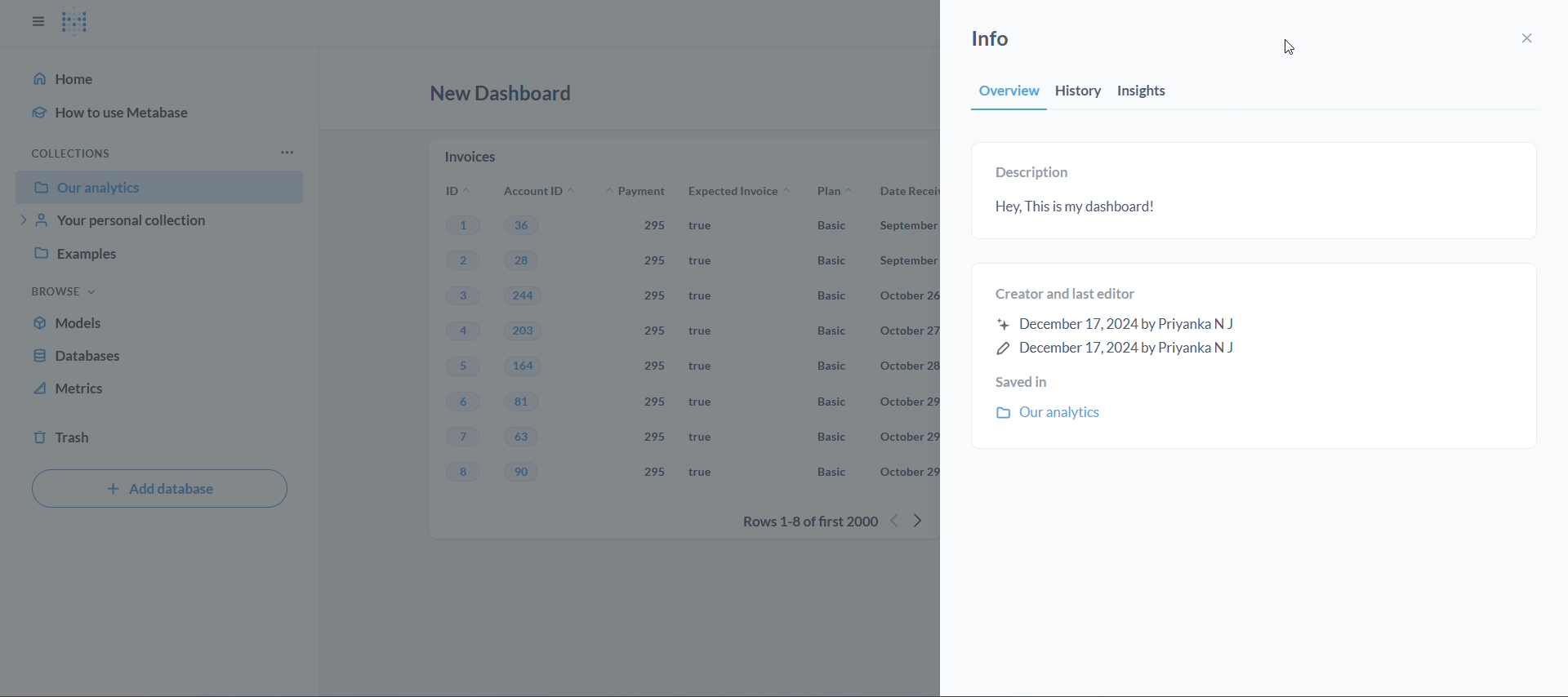 Image resolution: width=1568 pixels, height=697 pixels. Describe the element at coordinates (896, 520) in the screenshot. I see `previous rows` at that location.